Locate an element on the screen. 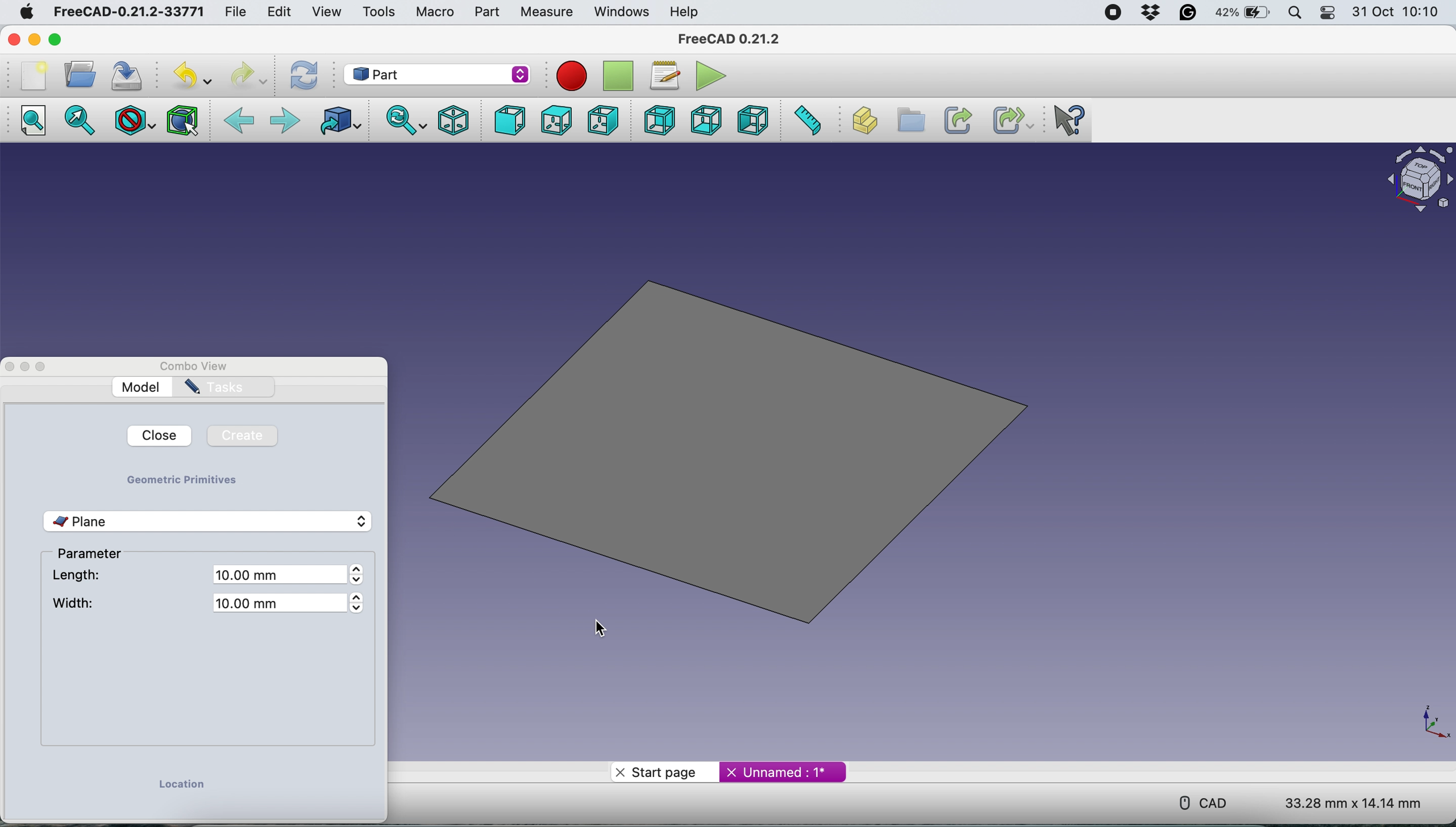 The width and height of the screenshot is (1456, 827). View is located at coordinates (329, 11).